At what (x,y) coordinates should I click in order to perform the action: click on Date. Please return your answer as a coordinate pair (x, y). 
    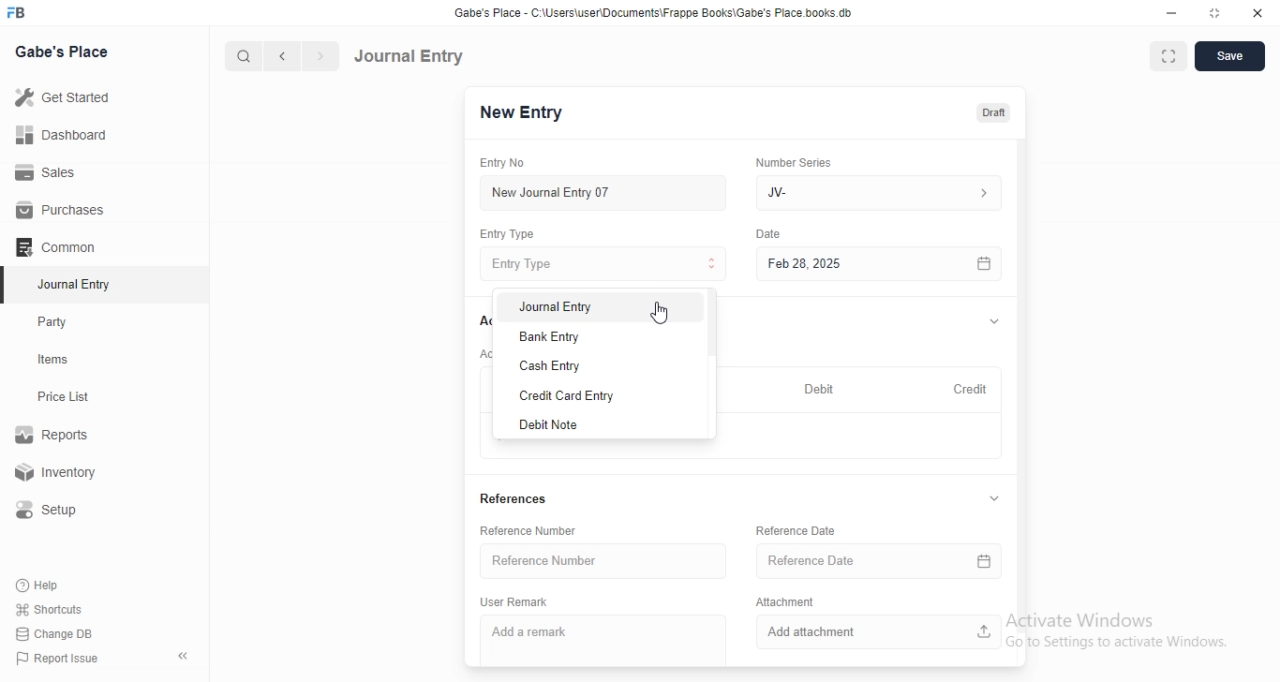
    Looking at the image, I should click on (770, 233).